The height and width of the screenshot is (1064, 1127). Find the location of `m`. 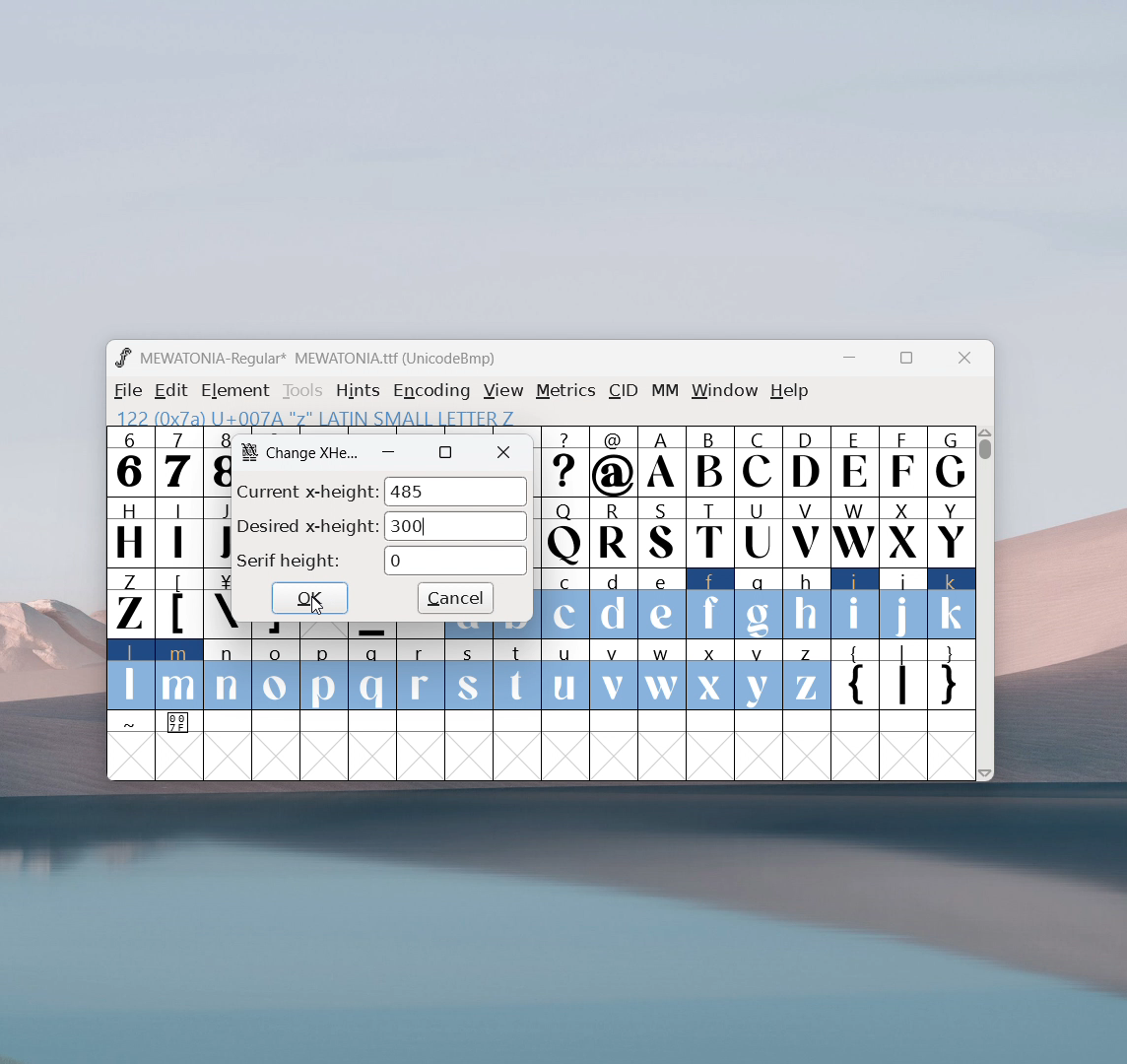

m is located at coordinates (179, 675).